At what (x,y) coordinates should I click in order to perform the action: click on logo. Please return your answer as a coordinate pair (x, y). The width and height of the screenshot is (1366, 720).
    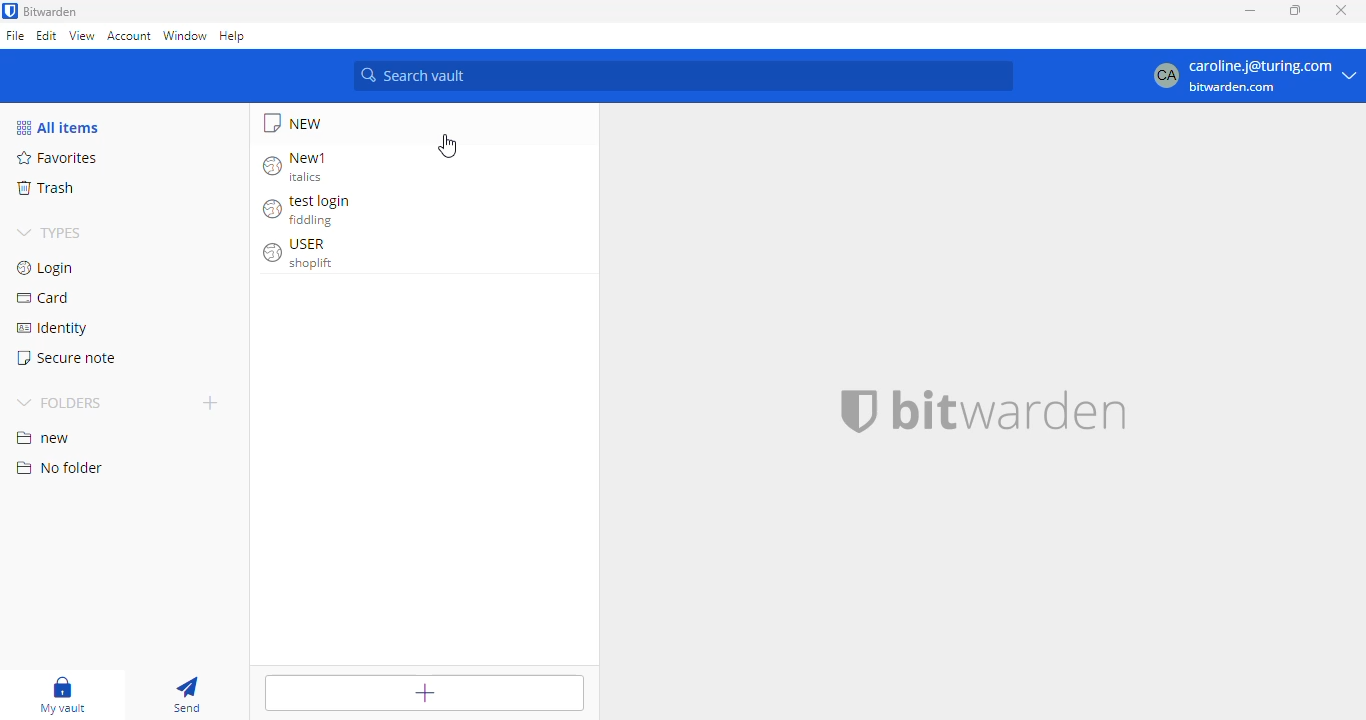
    Looking at the image, I should click on (860, 411).